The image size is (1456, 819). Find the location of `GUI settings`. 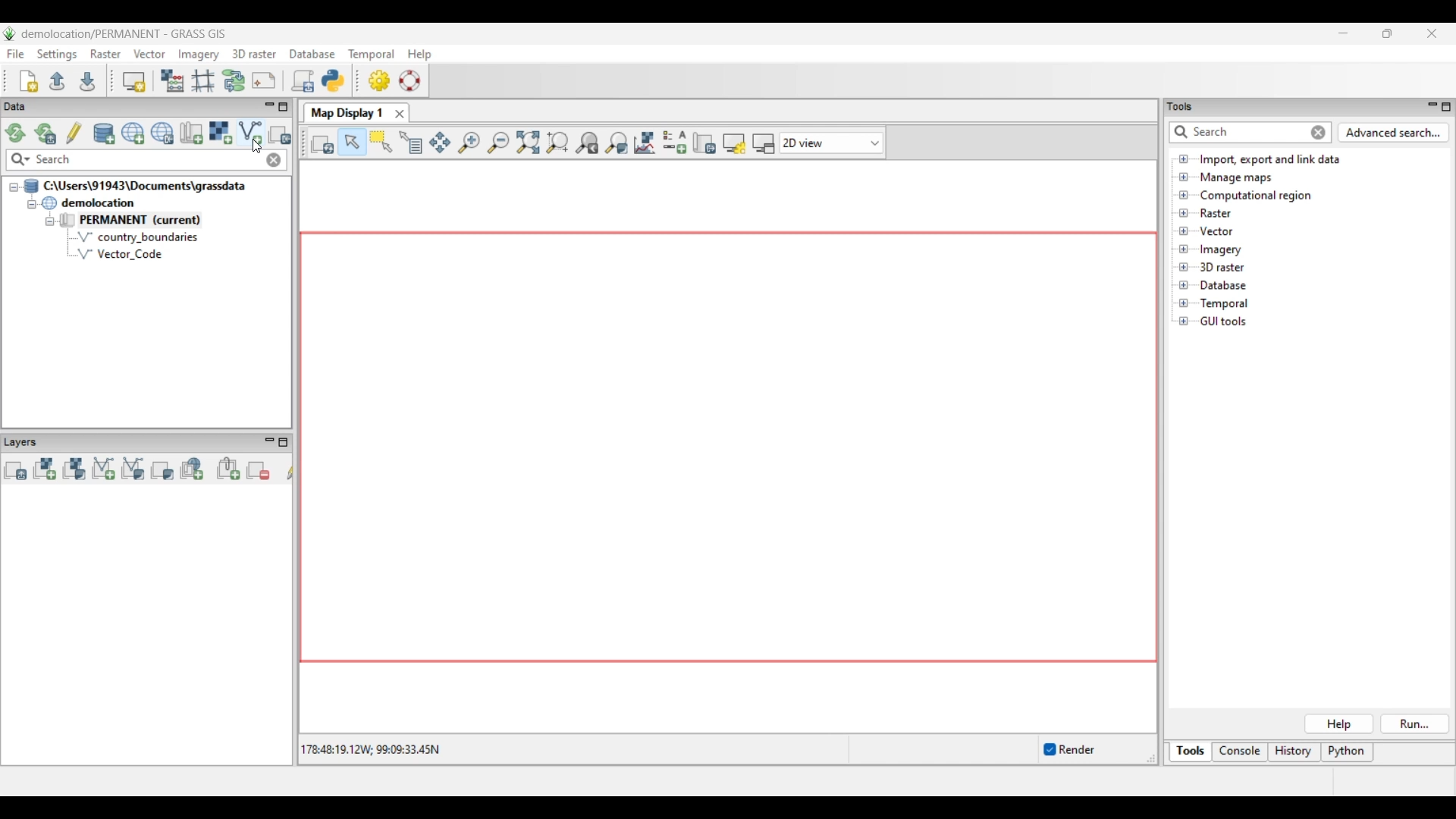

GUI settings is located at coordinates (380, 80).